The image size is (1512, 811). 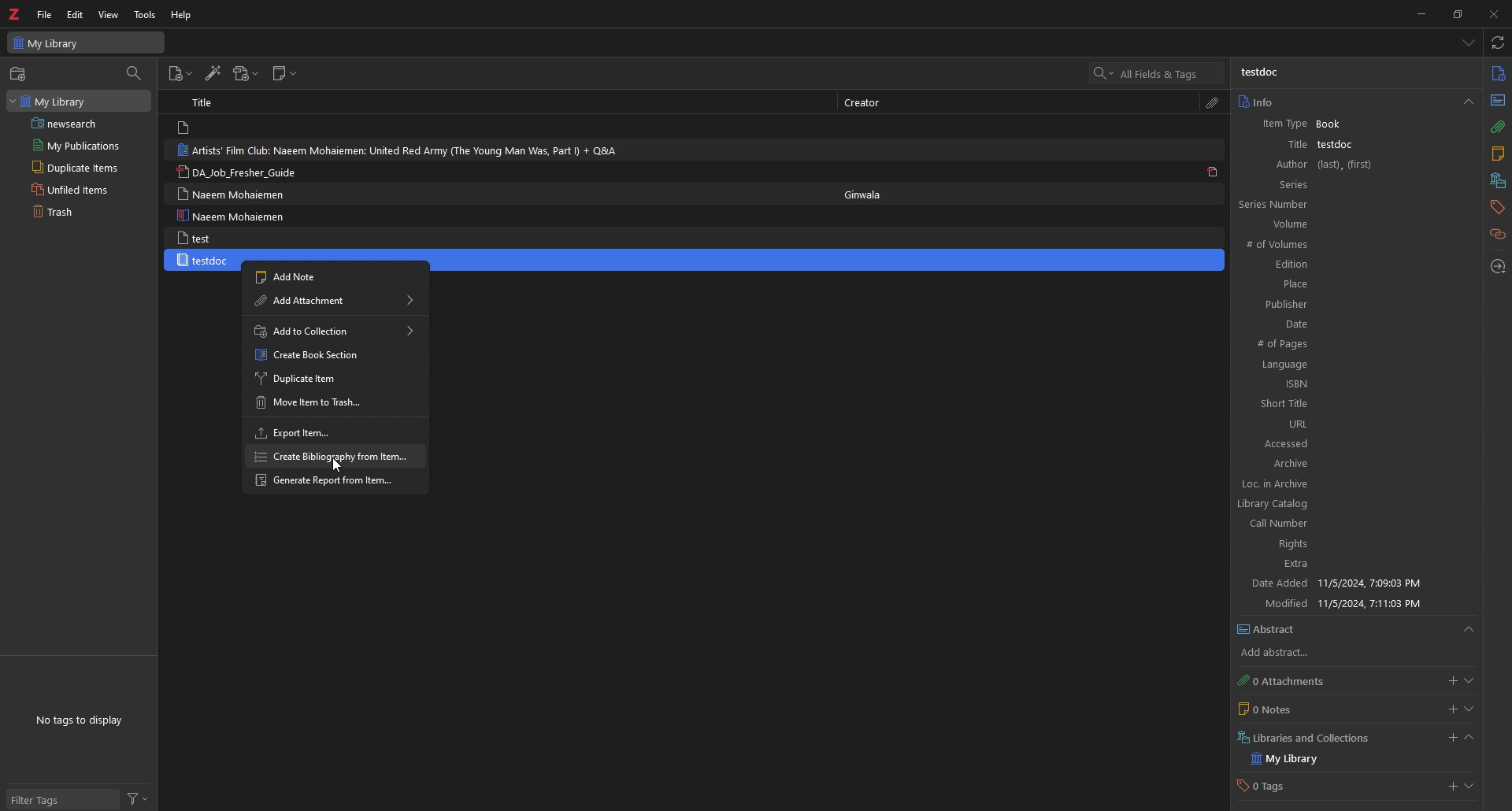 I want to click on add attachment, so click(x=335, y=302).